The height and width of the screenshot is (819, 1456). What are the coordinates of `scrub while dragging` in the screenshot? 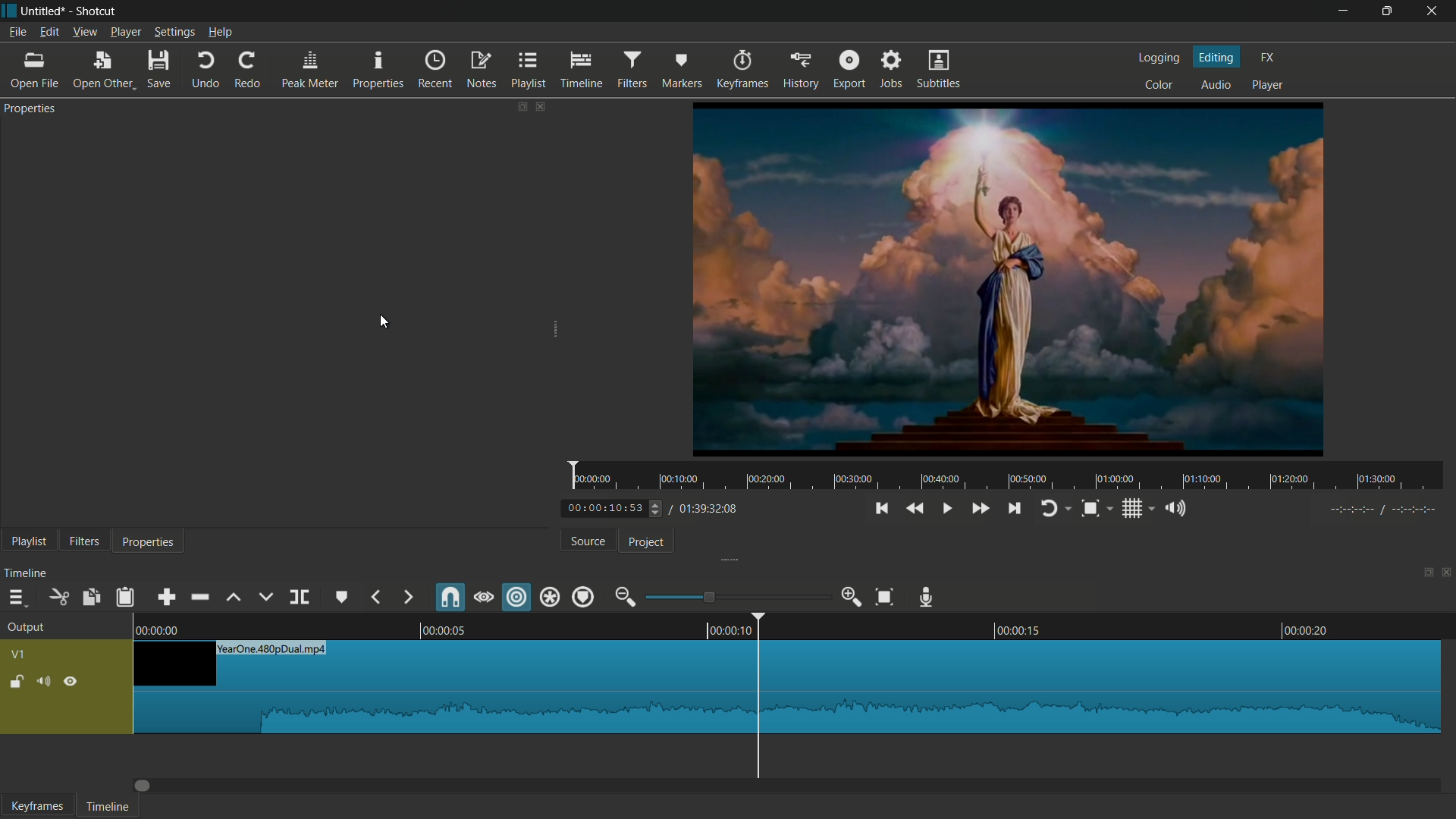 It's located at (484, 597).